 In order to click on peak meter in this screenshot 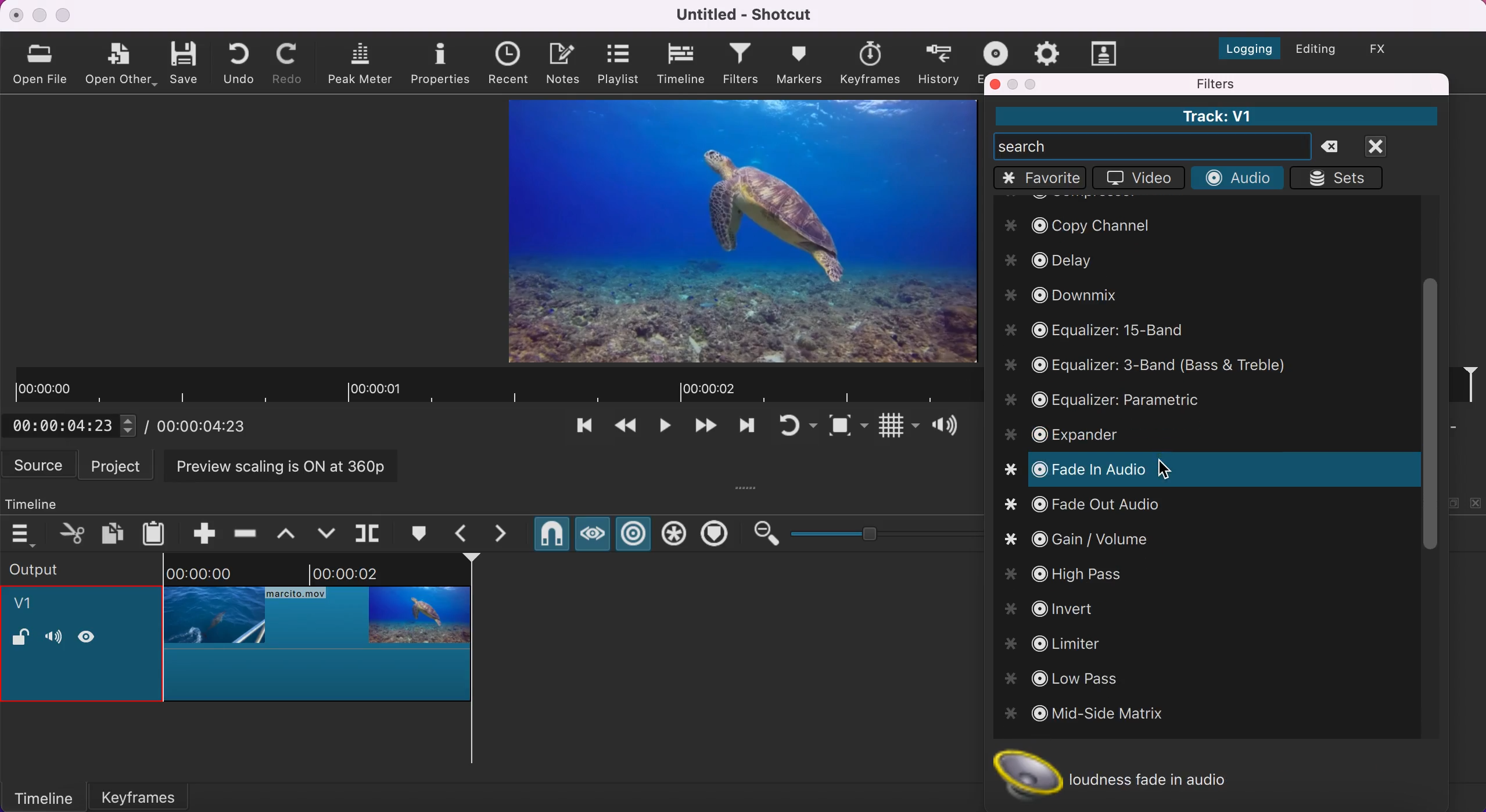, I will do `click(362, 64)`.